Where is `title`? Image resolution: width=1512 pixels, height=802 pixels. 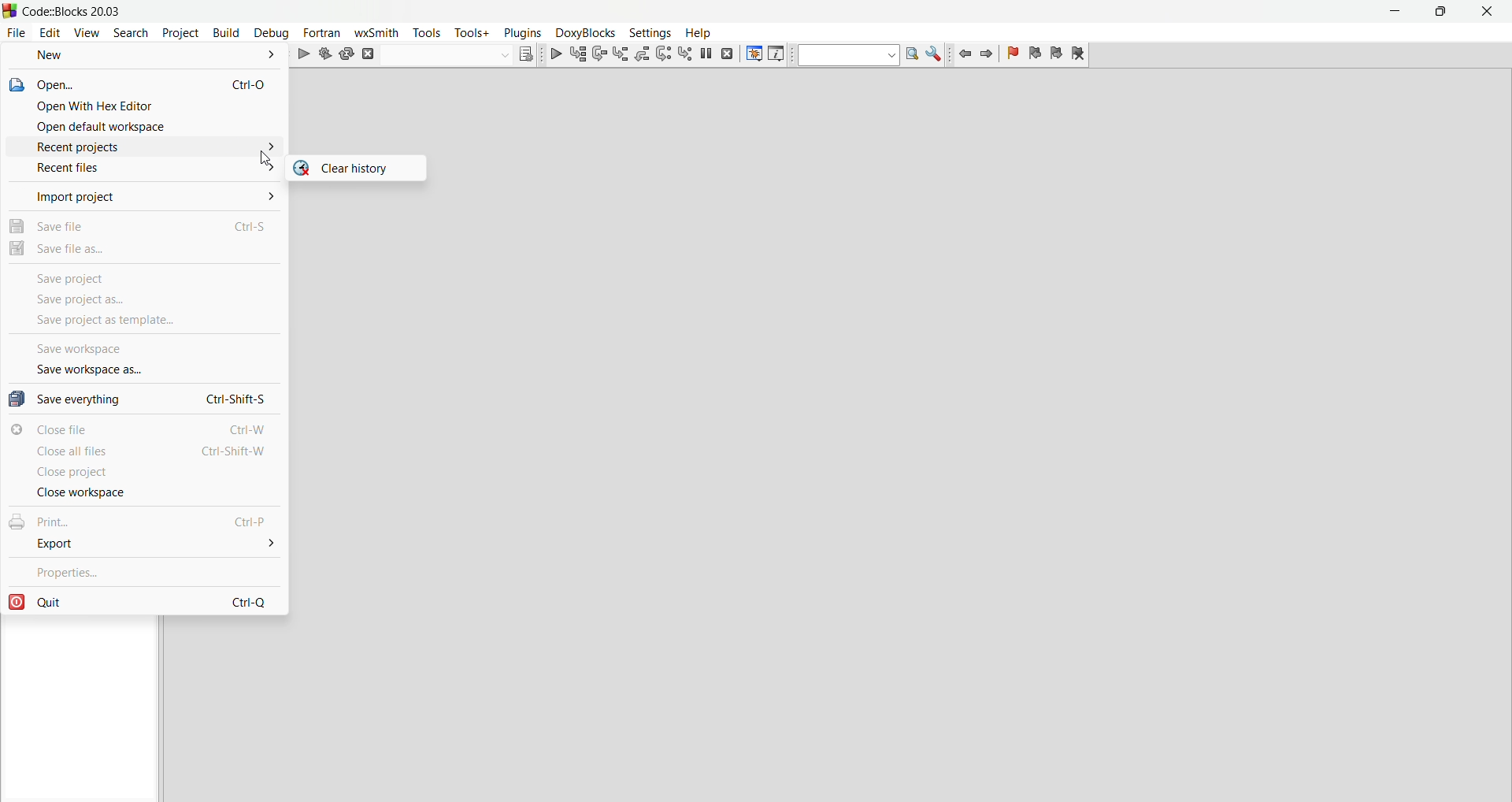
title is located at coordinates (73, 12).